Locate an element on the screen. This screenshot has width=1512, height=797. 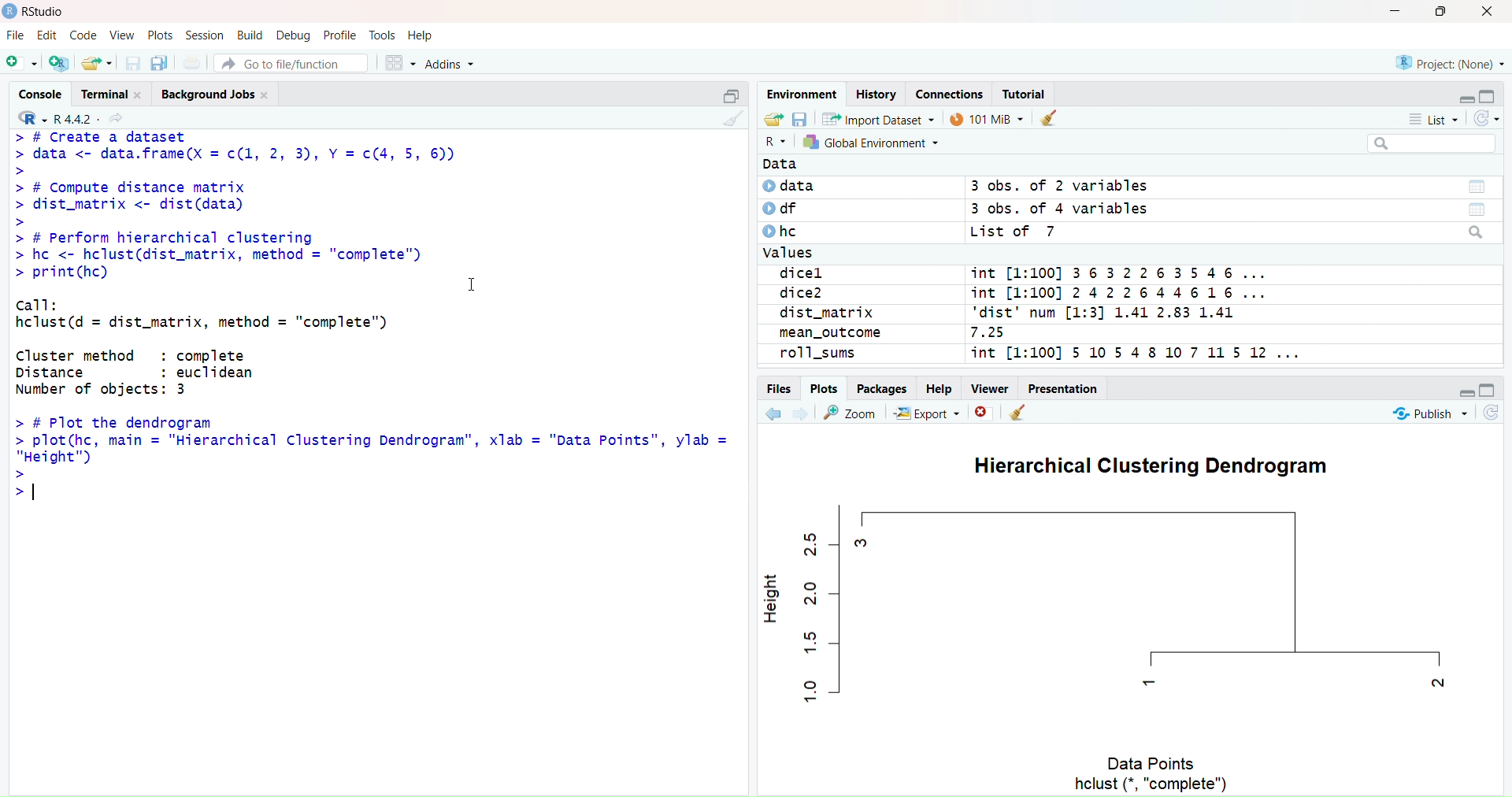
R .4.4.2~/ is located at coordinates (76, 120).